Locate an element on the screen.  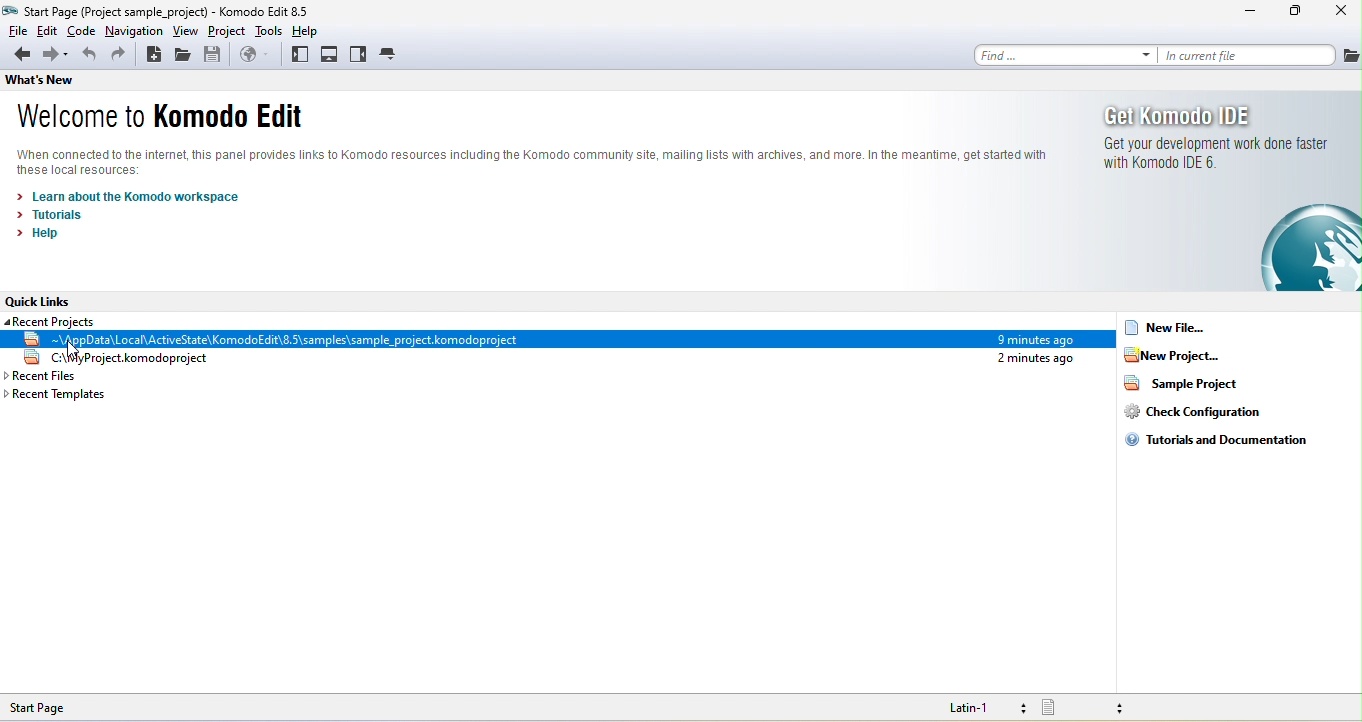
quick link is located at coordinates (47, 302).